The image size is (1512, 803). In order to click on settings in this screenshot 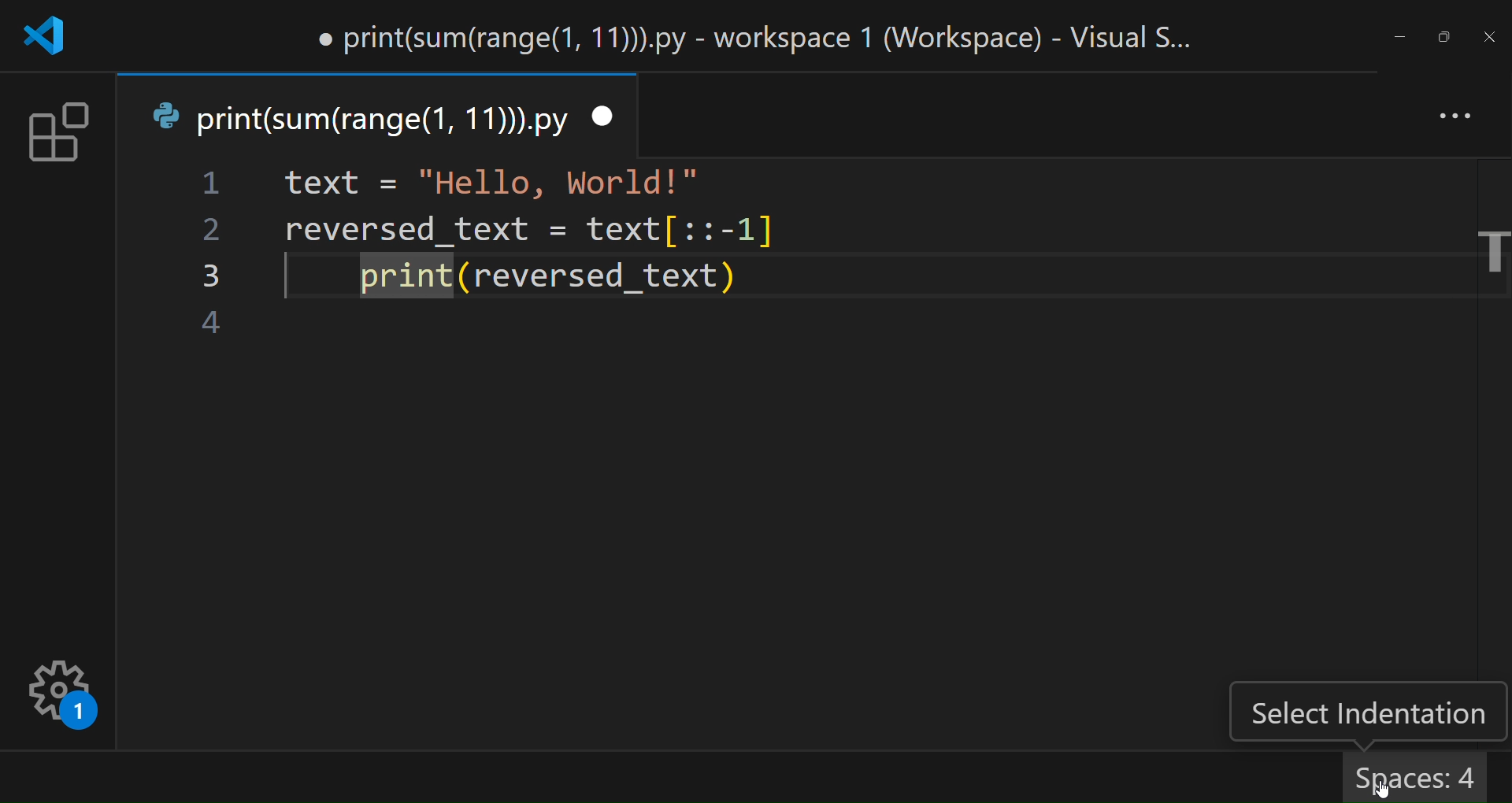, I will do `click(61, 697)`.